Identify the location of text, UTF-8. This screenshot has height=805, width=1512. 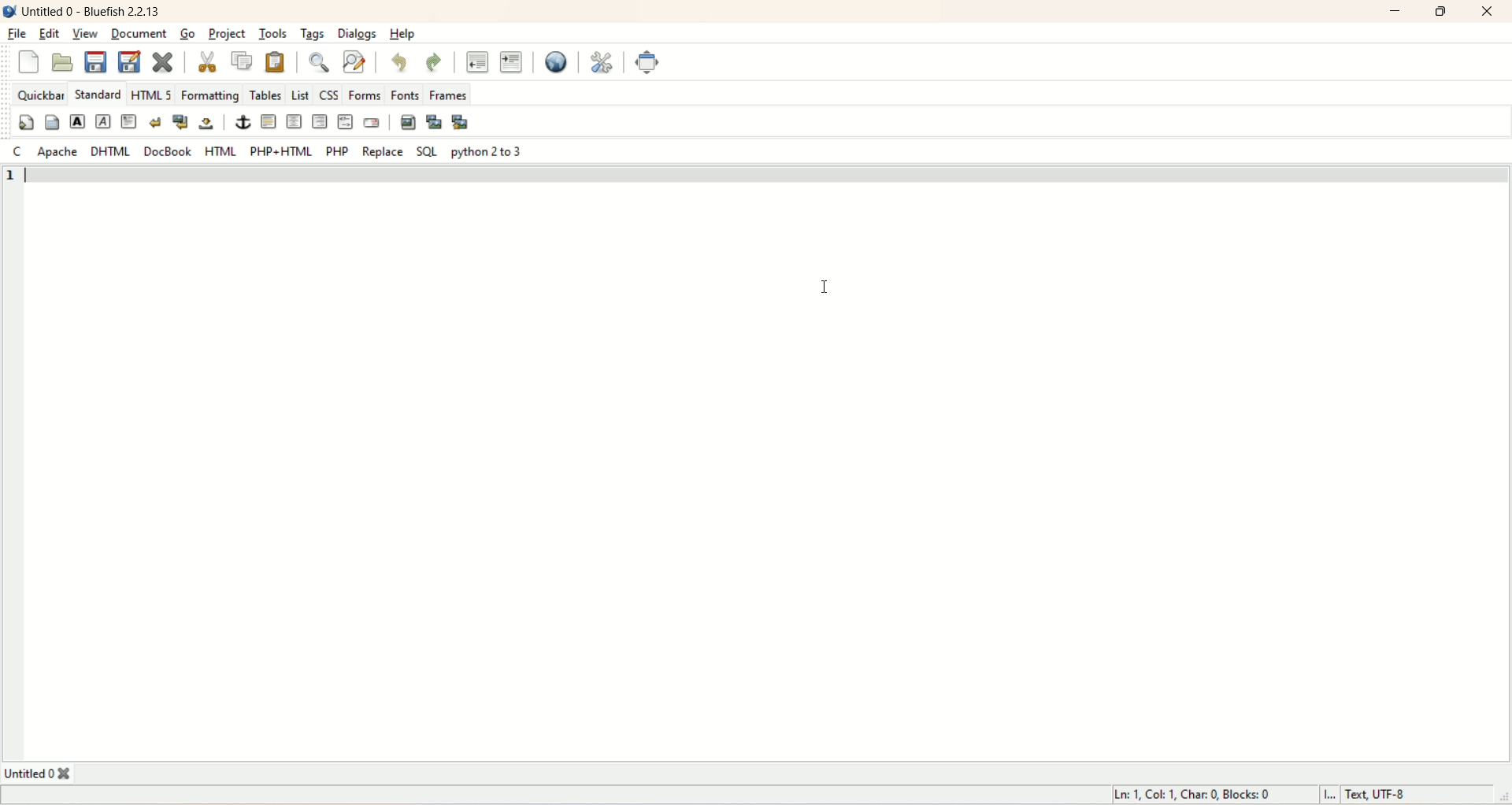
(1385, 795).